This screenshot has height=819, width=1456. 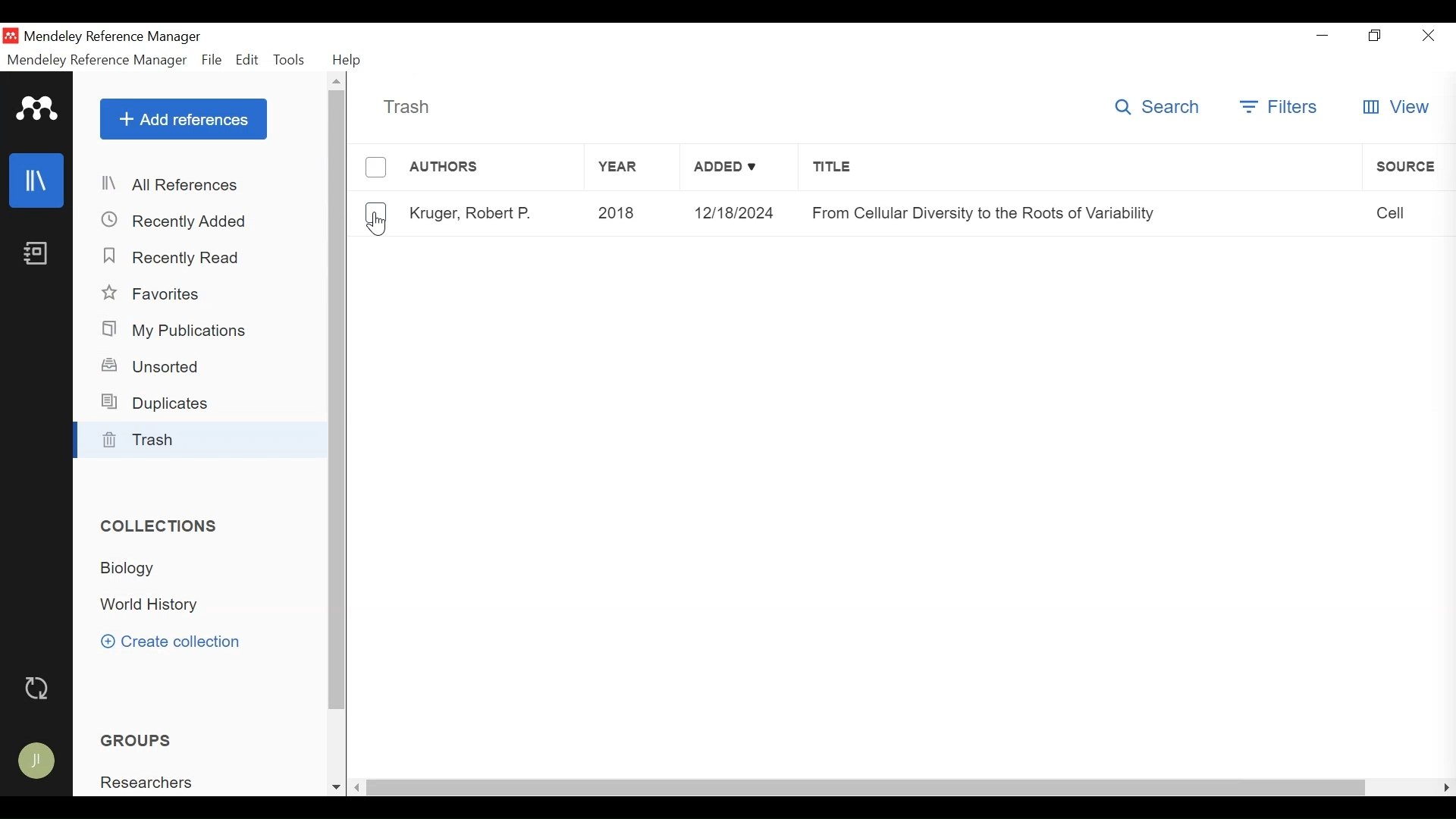 I want to click on Notebook, so click(x=35, y=255).